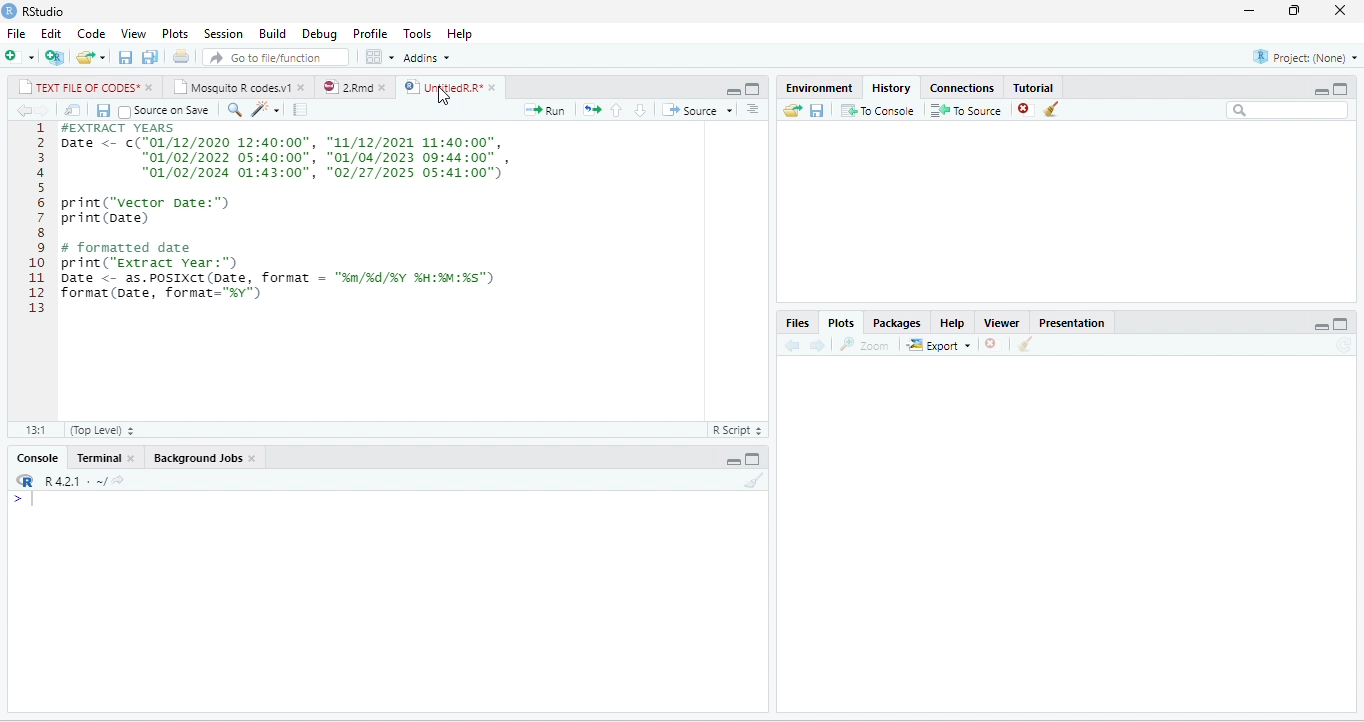 The image size is (1364, 722). What do you see at coordinates (1287, 111) in the screenshot?
I see `search bar` at bounding box center [1287, 111].